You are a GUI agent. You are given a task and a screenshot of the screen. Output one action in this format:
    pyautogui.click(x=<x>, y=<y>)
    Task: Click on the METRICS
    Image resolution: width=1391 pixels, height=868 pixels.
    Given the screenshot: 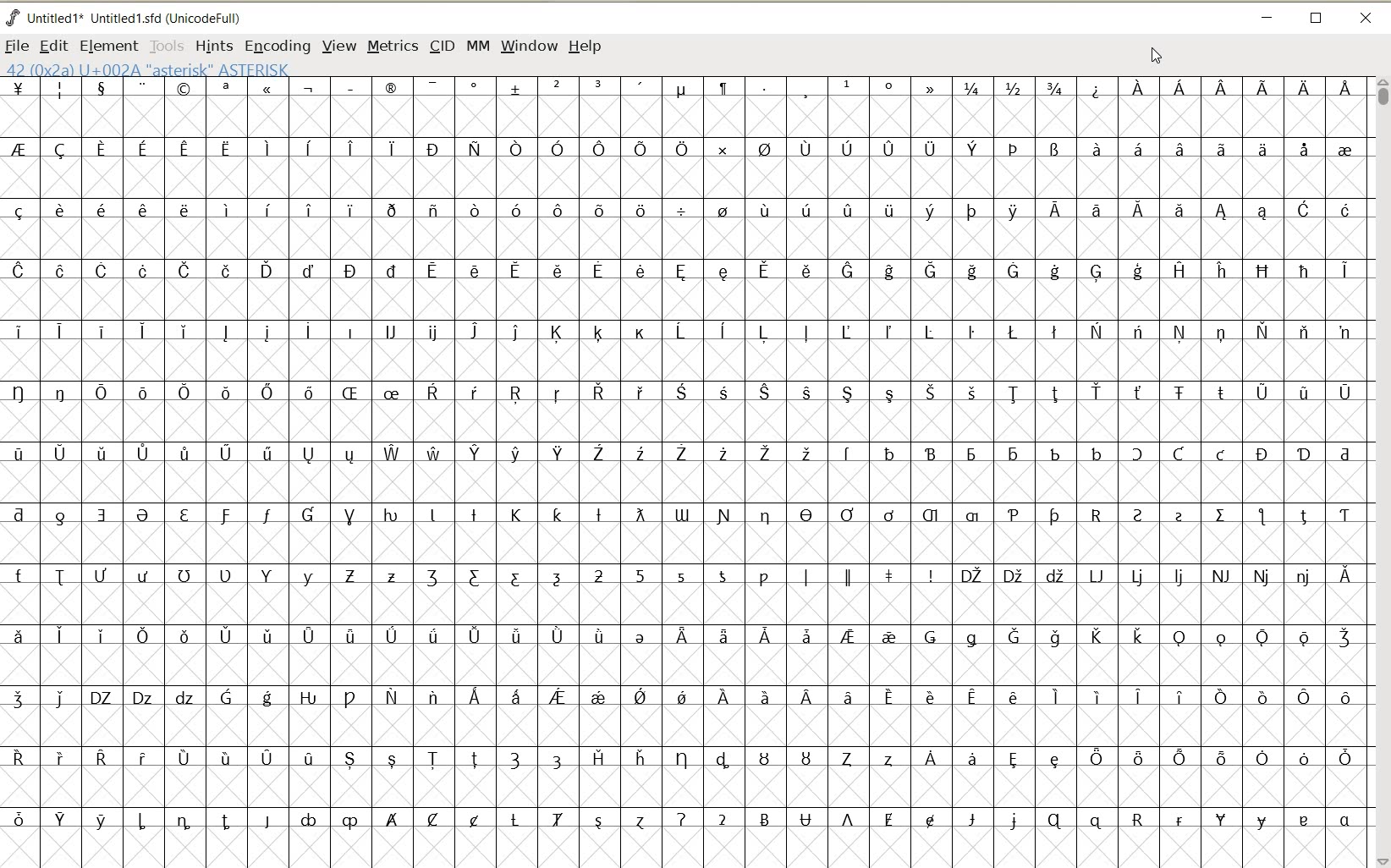 What is the action you would take?
    pyautogui.click(x=391, y=47)
    